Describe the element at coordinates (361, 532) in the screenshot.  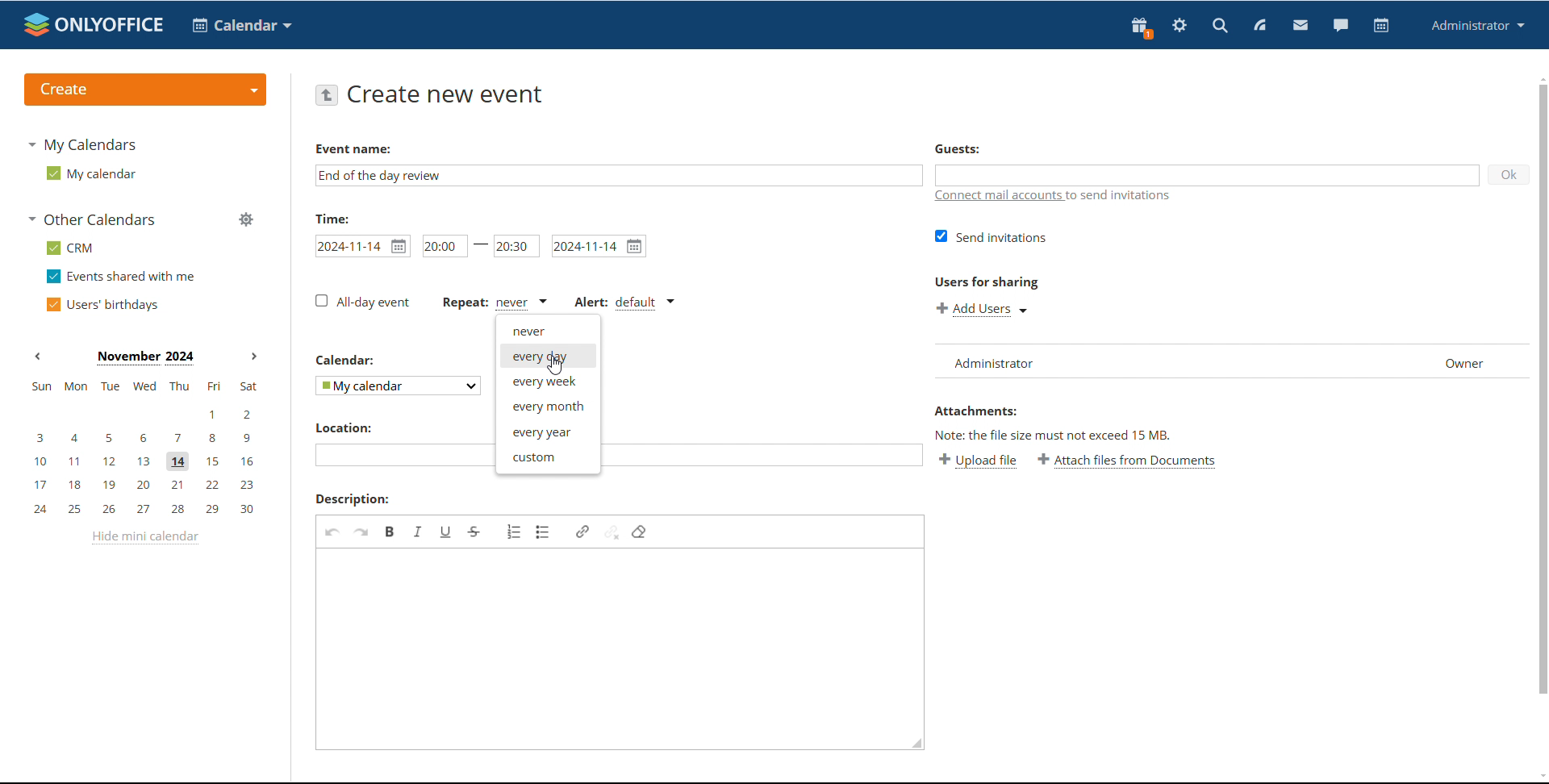
I see `redo` at that location.